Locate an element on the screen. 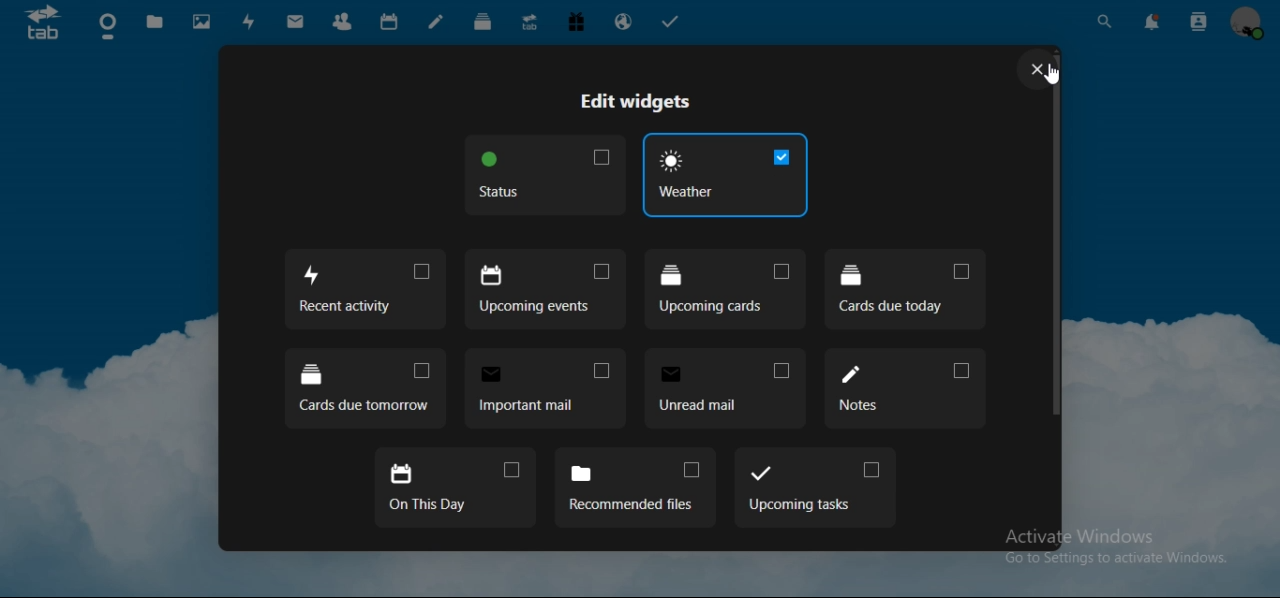  close is located at coordinates (1035, 68).